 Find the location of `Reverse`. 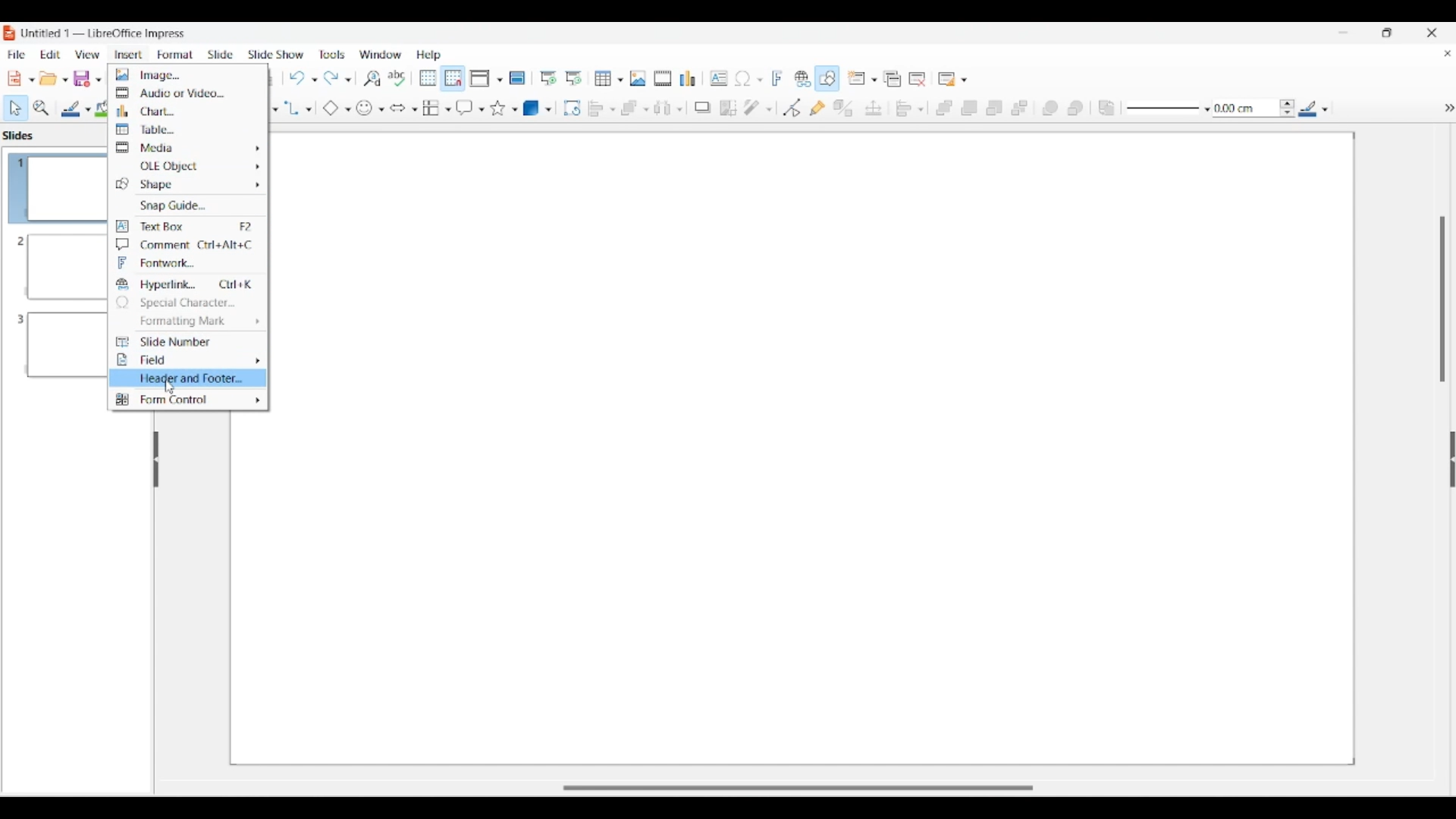

Reverse is located at coordinates (1107, 108).